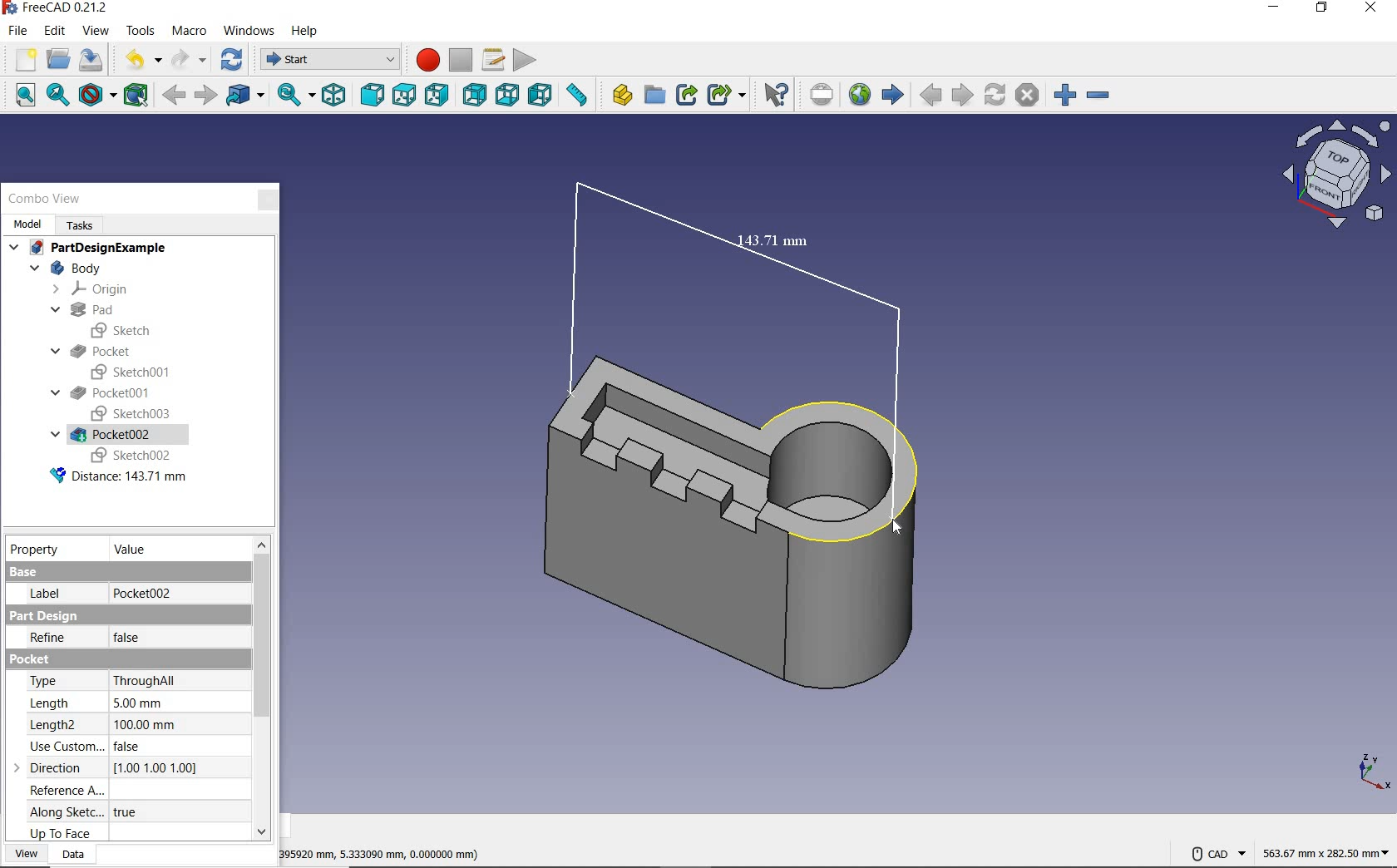  What do you see at coordinates (54, 32) in the screenshot?
I see `edit` at bounding box center [54, 32].